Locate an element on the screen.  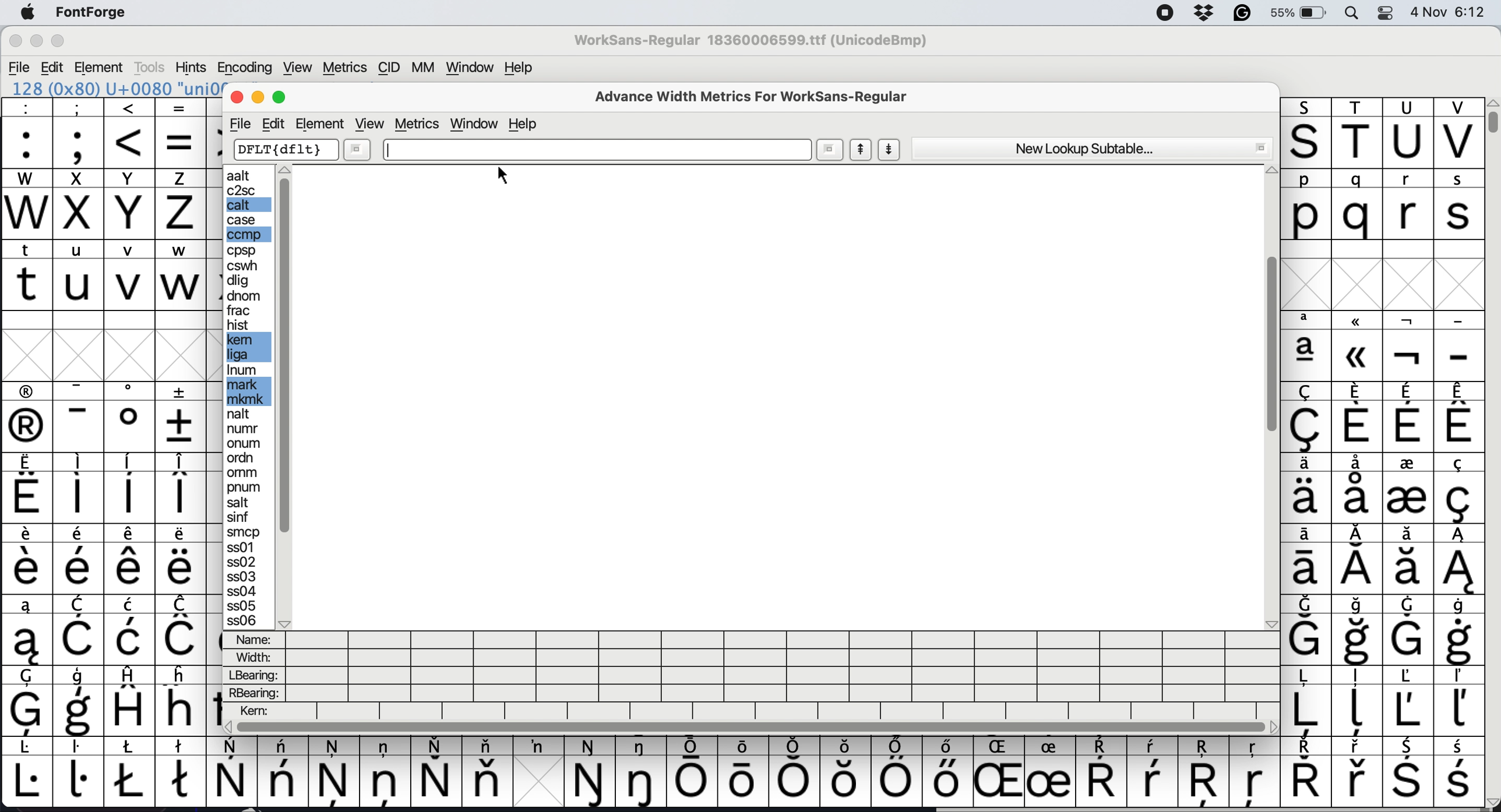
Window is located at coordinates (471, 67).